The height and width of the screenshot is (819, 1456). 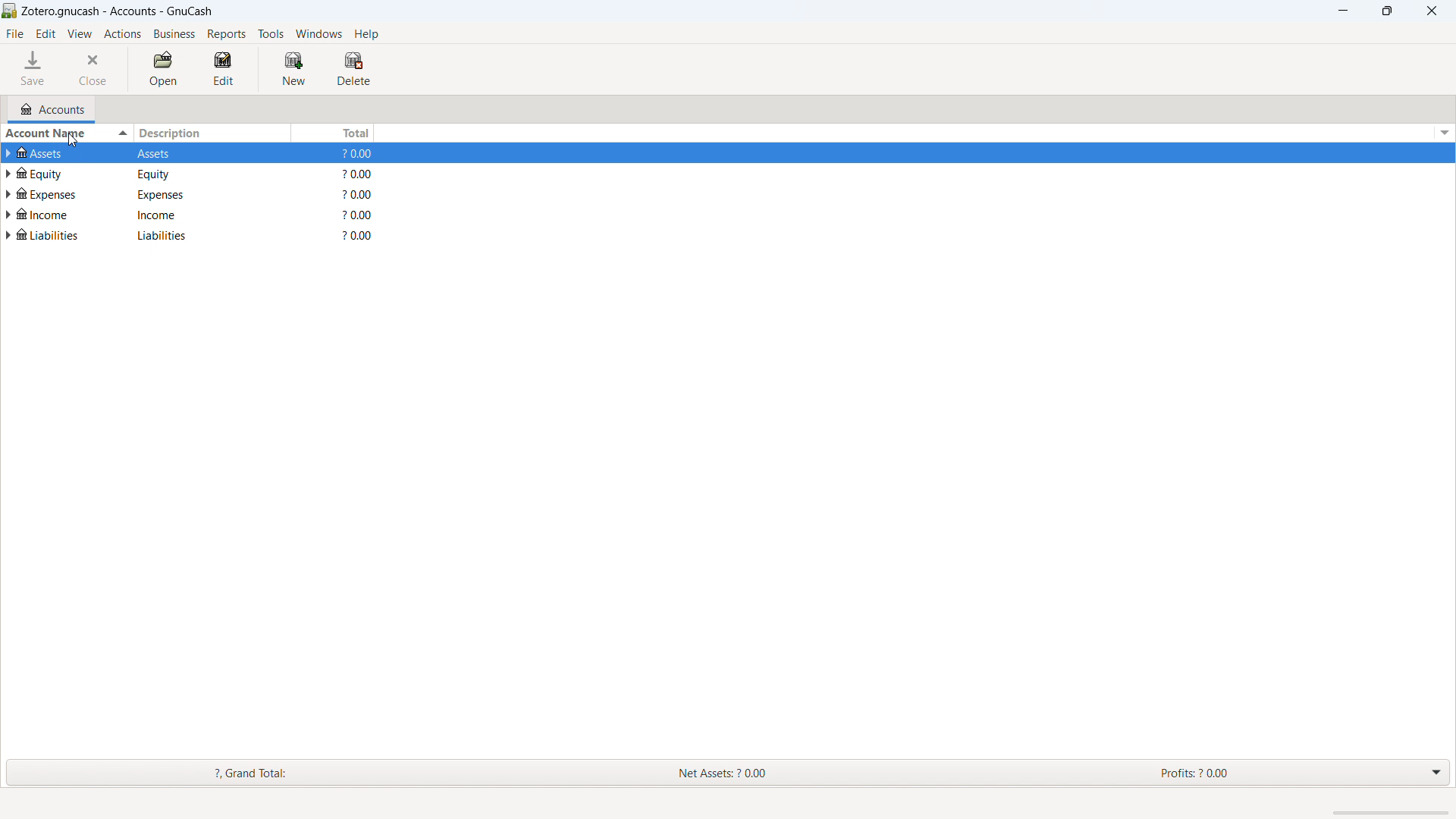 What do you see at coordinates (331, 133) in the screenshot?
I see `sort by total` at bounding box center [331, 133].